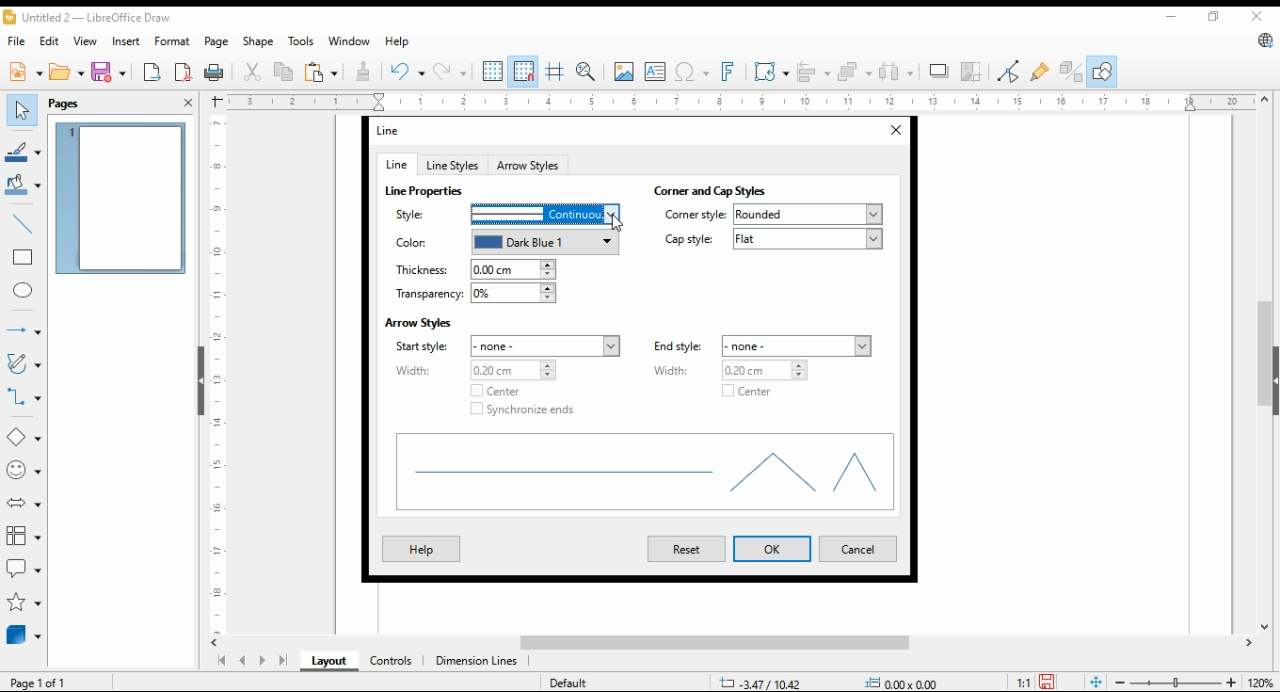 The image size is (1280, 692). Describe the element at coordinates (618, 224) in the screenshot. I see `mouse pointer` at that location.